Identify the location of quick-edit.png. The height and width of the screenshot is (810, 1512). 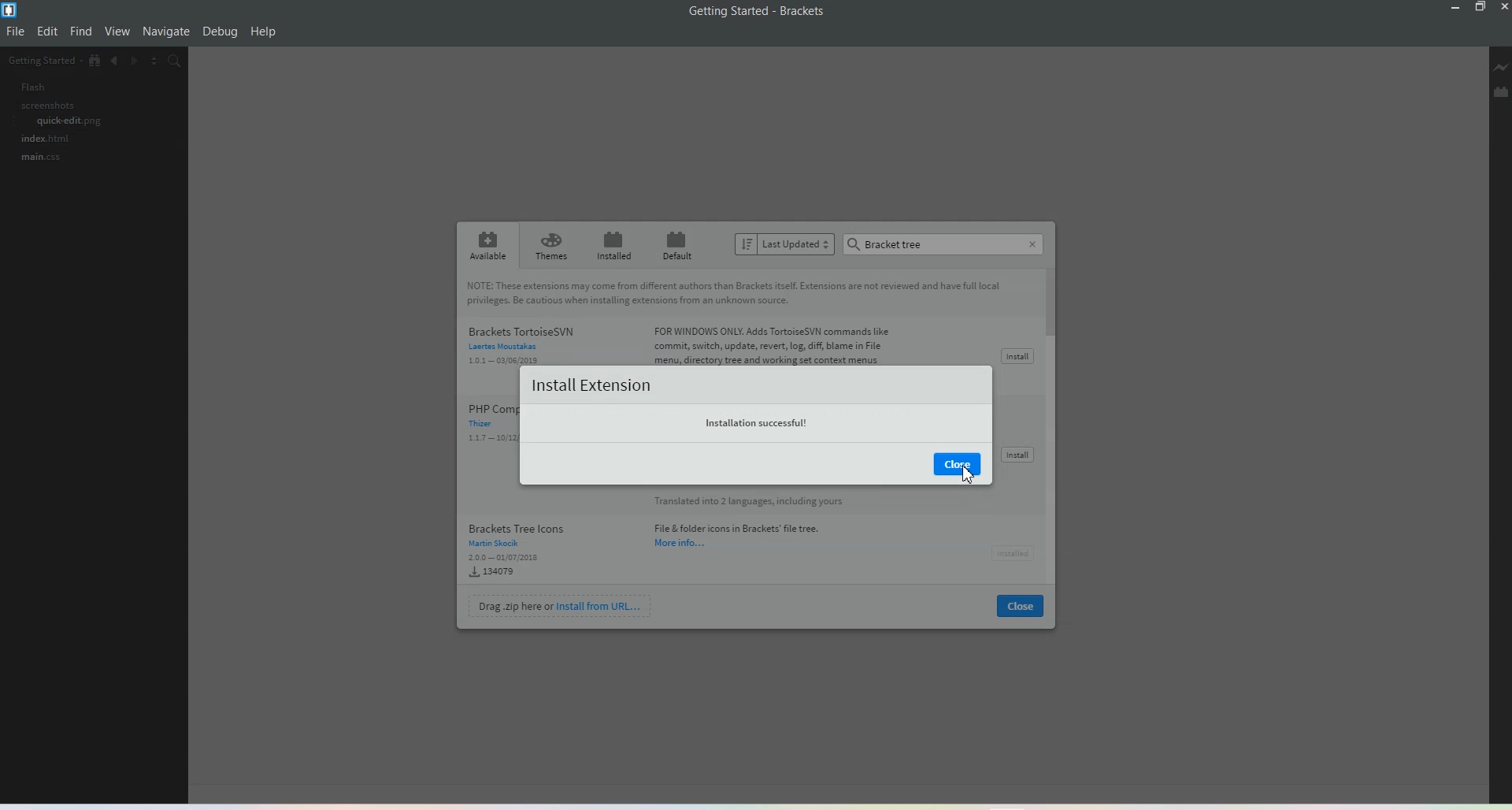
(57, 123).